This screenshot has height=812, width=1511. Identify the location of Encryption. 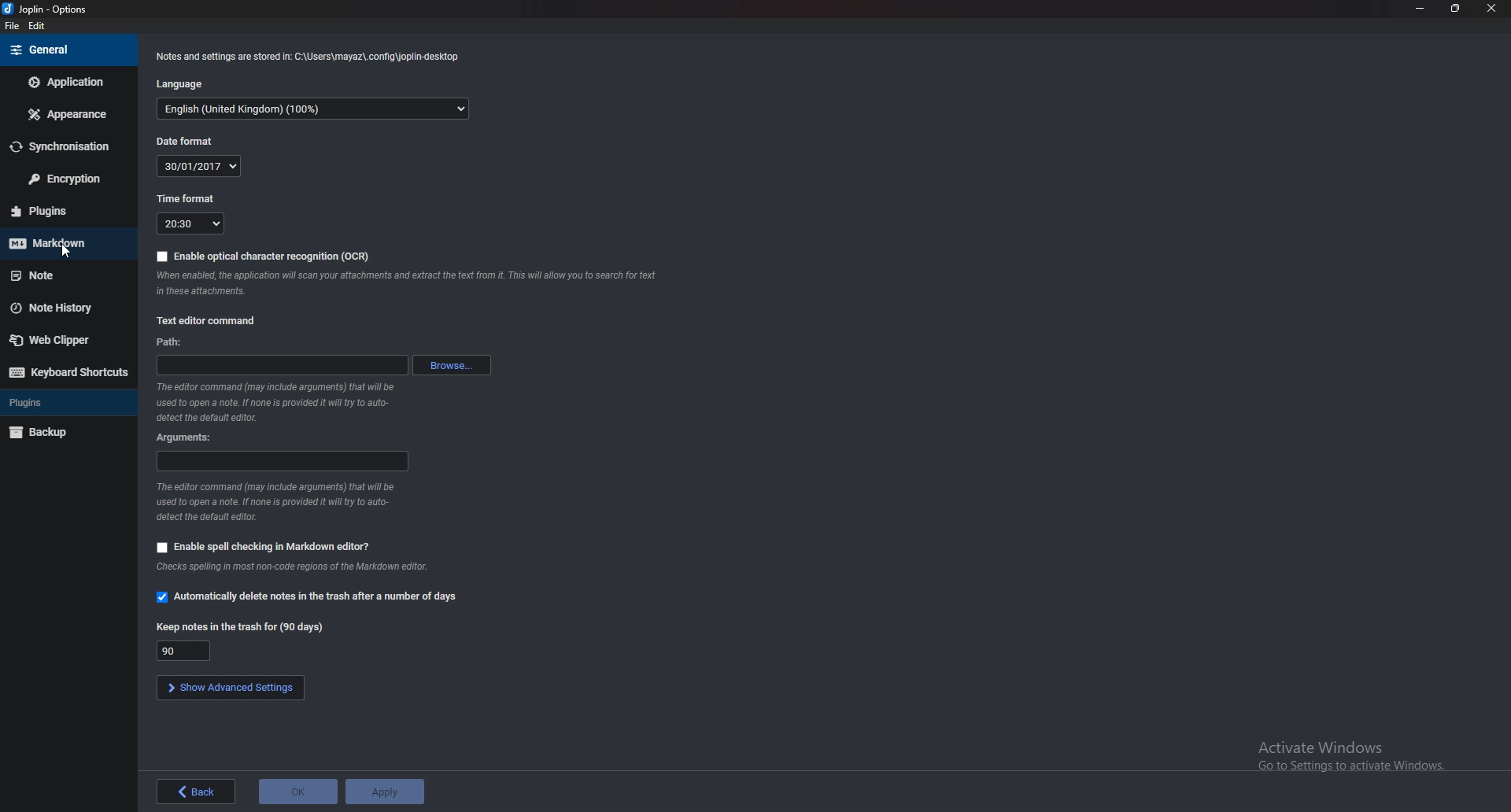
(65, 179).